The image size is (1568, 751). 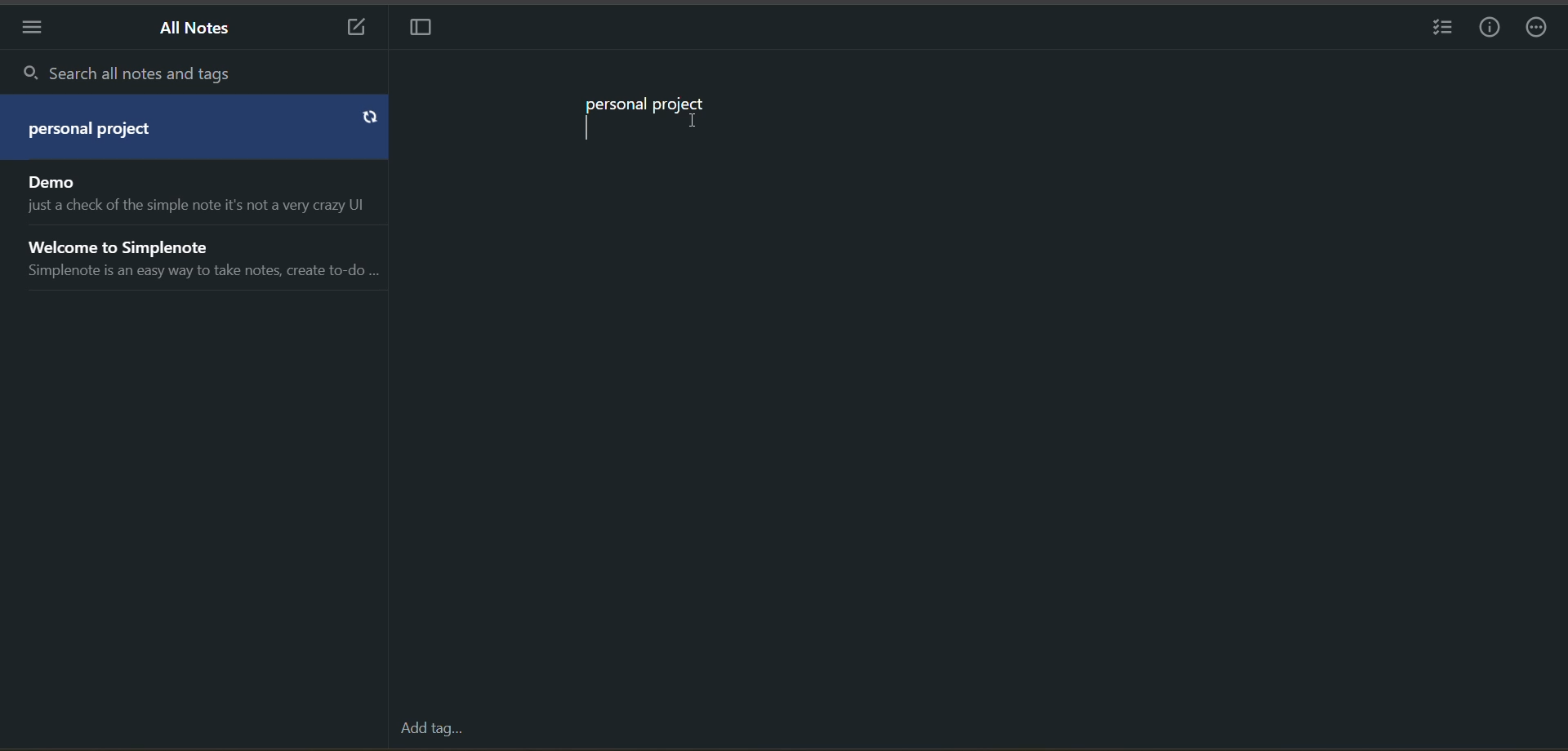 I want to click on note title or heading, so click(x=647, y=106).